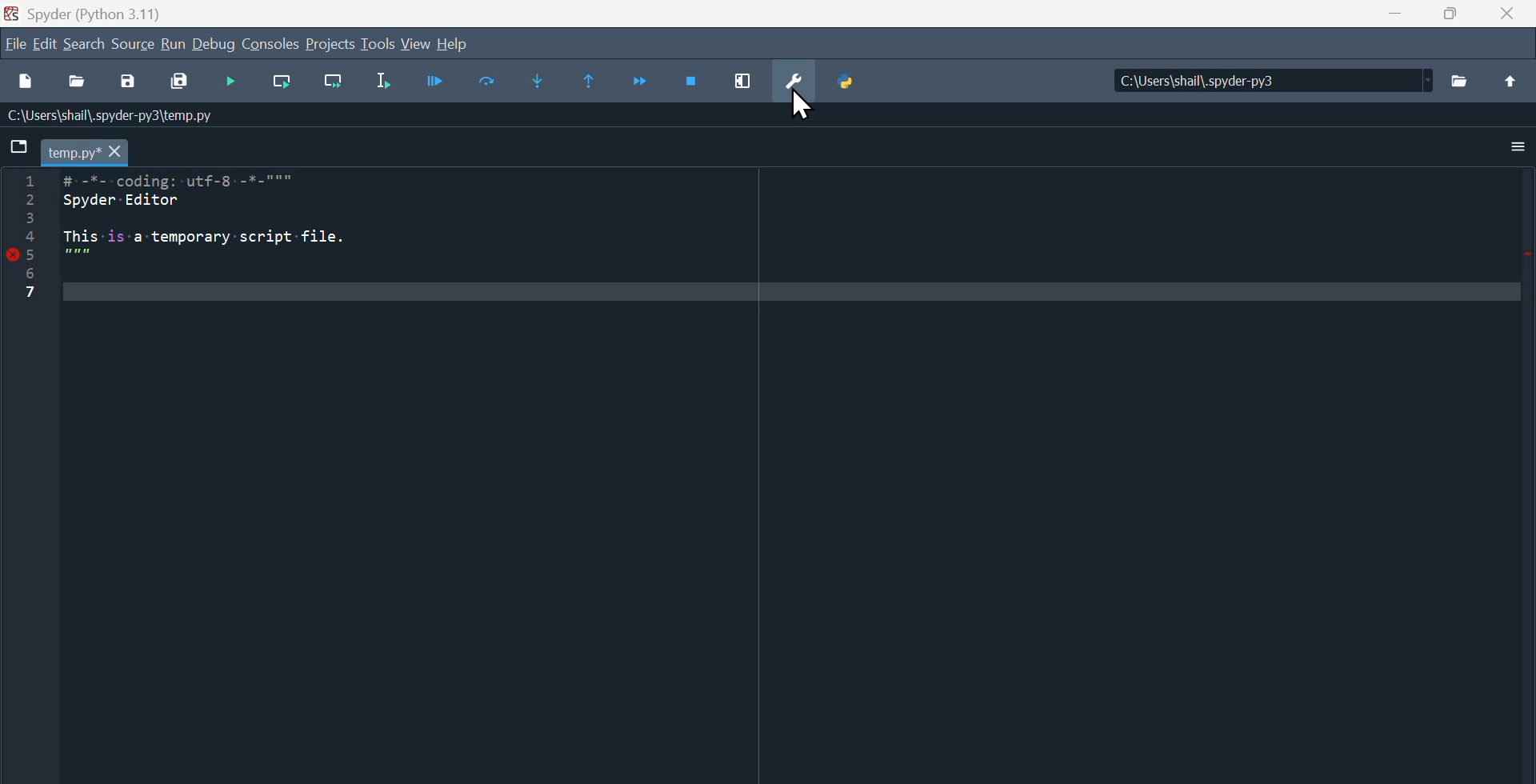 This screenshot has width=1536, height=784. Describe the element at coordinates (805, 81) in the screenshot. I see `Preferences` at that location.